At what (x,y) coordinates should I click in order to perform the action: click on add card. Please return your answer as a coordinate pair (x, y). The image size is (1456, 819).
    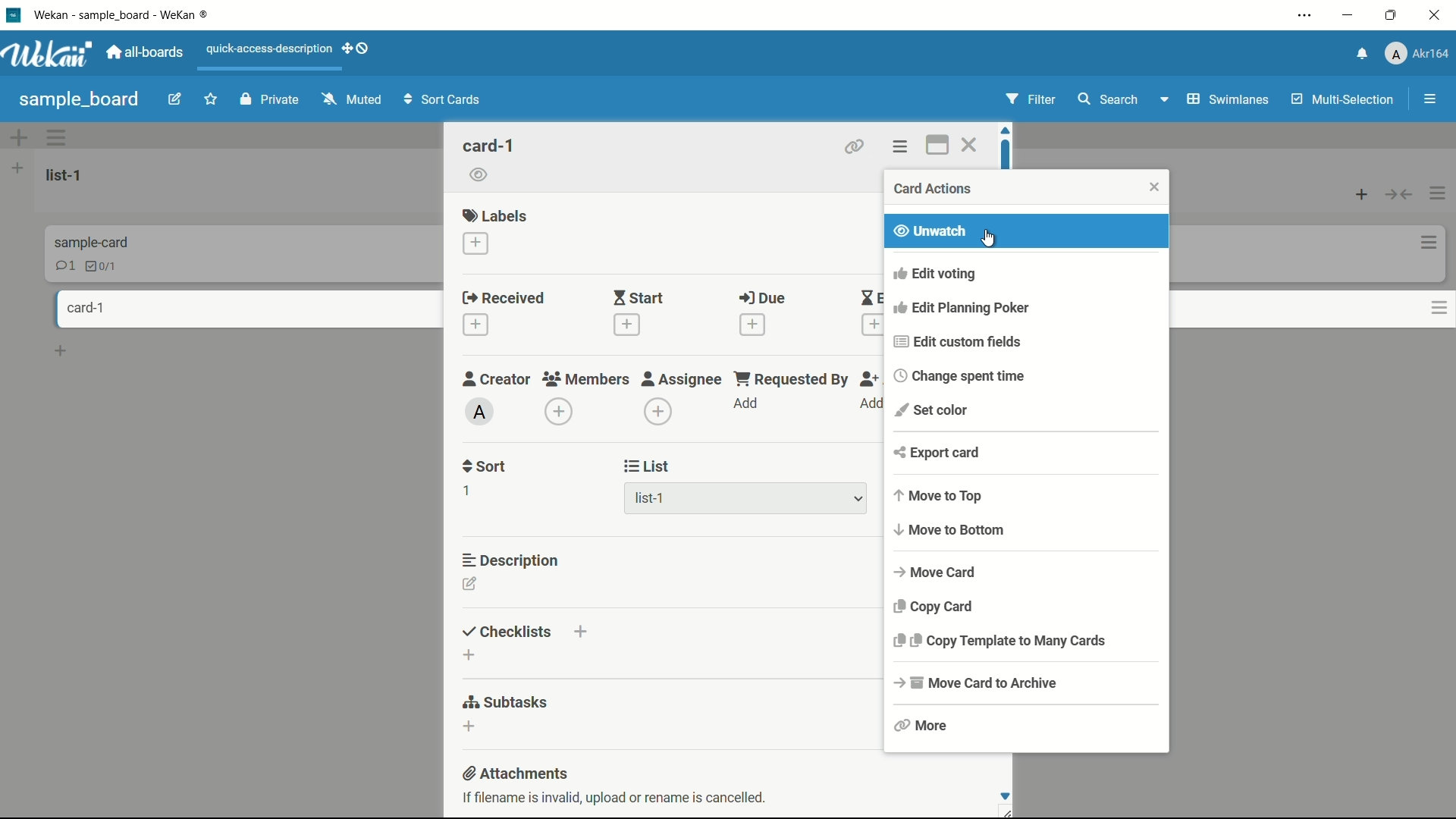
    Looking at the image, I should click on (62, 351).